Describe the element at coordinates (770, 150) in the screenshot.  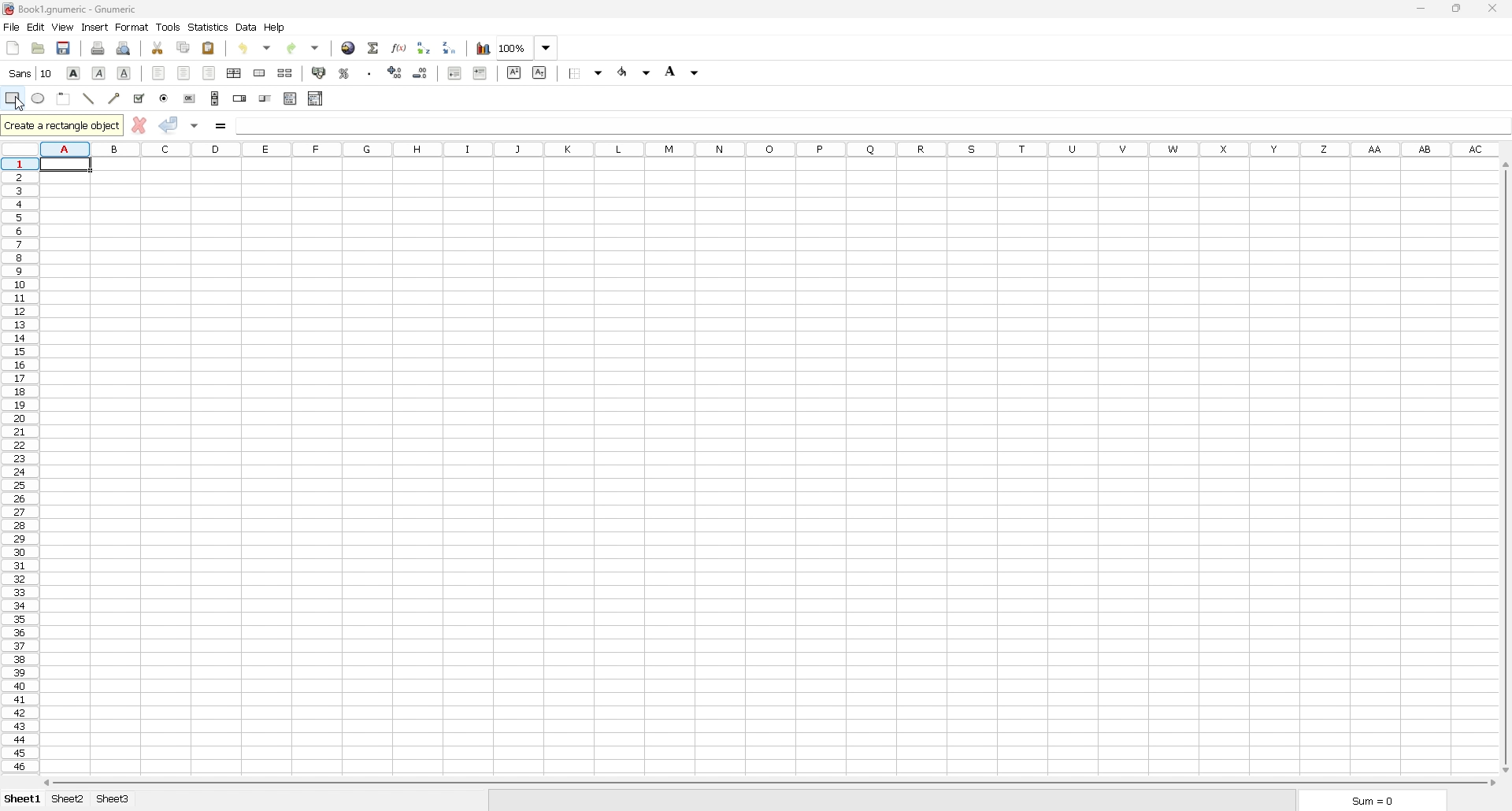
I see `column` at that location.